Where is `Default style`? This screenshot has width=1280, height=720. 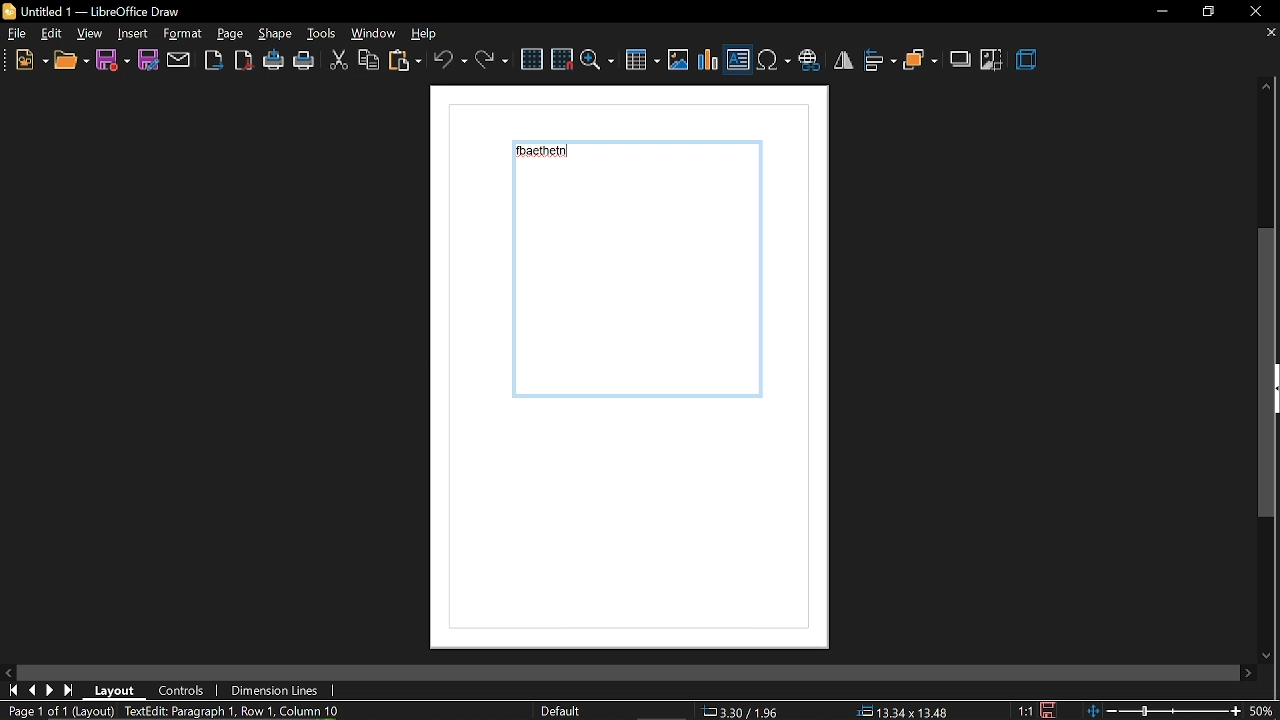
Default style is located at coordinates (564, 712).